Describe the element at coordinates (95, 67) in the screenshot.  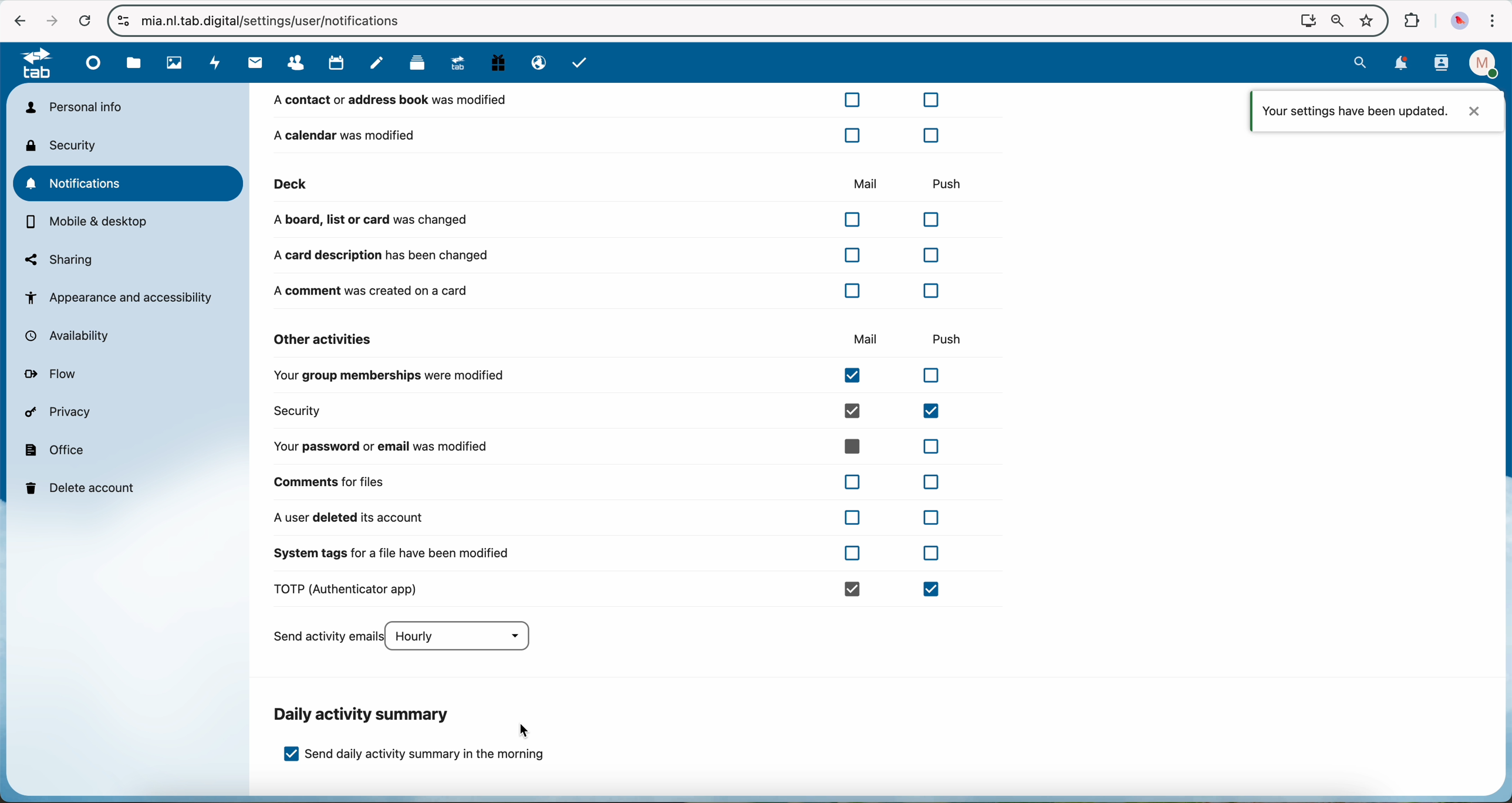
I see `dashboard` at that location.